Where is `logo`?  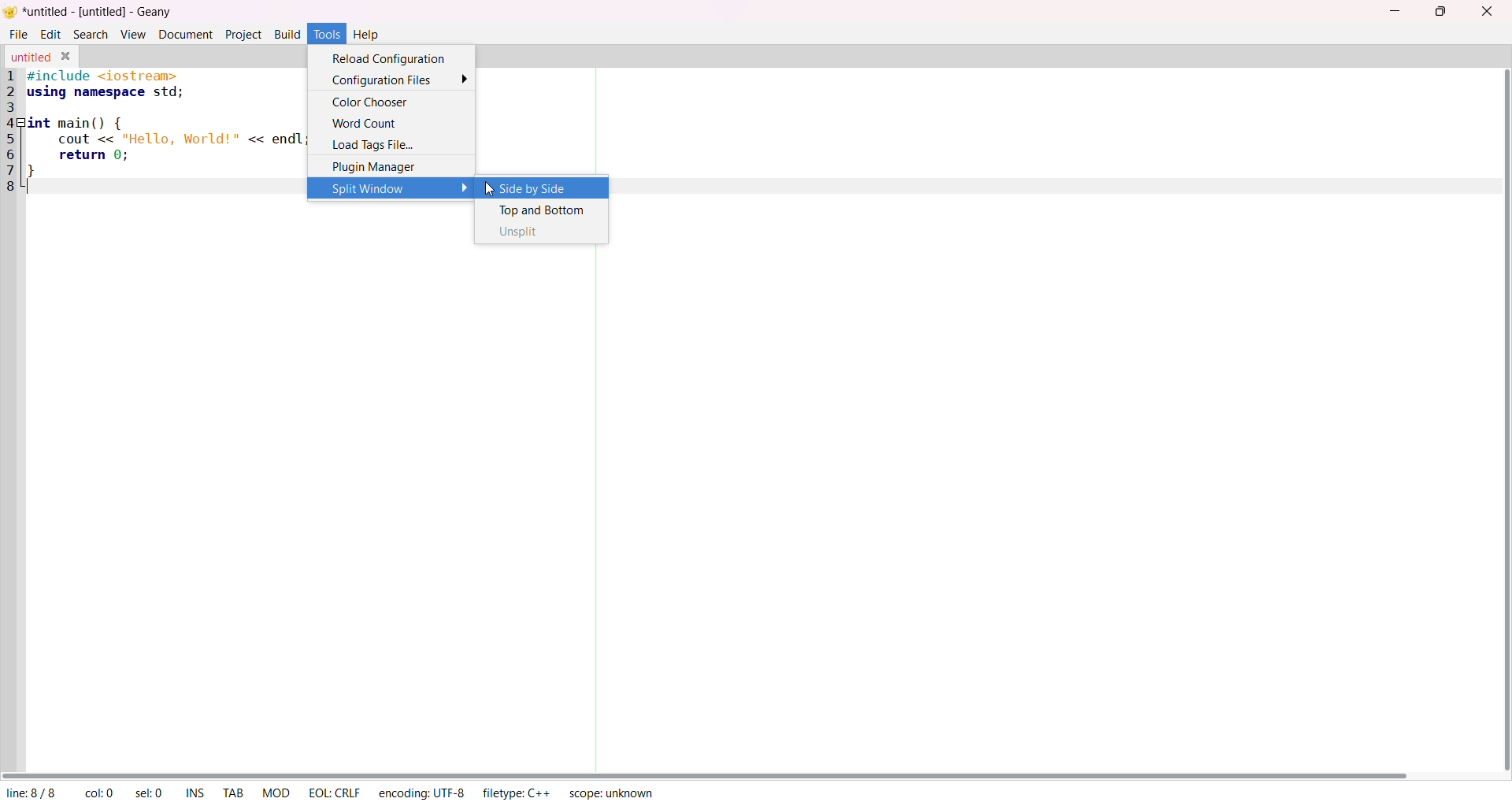 logo is located at coordinates (12, 11).